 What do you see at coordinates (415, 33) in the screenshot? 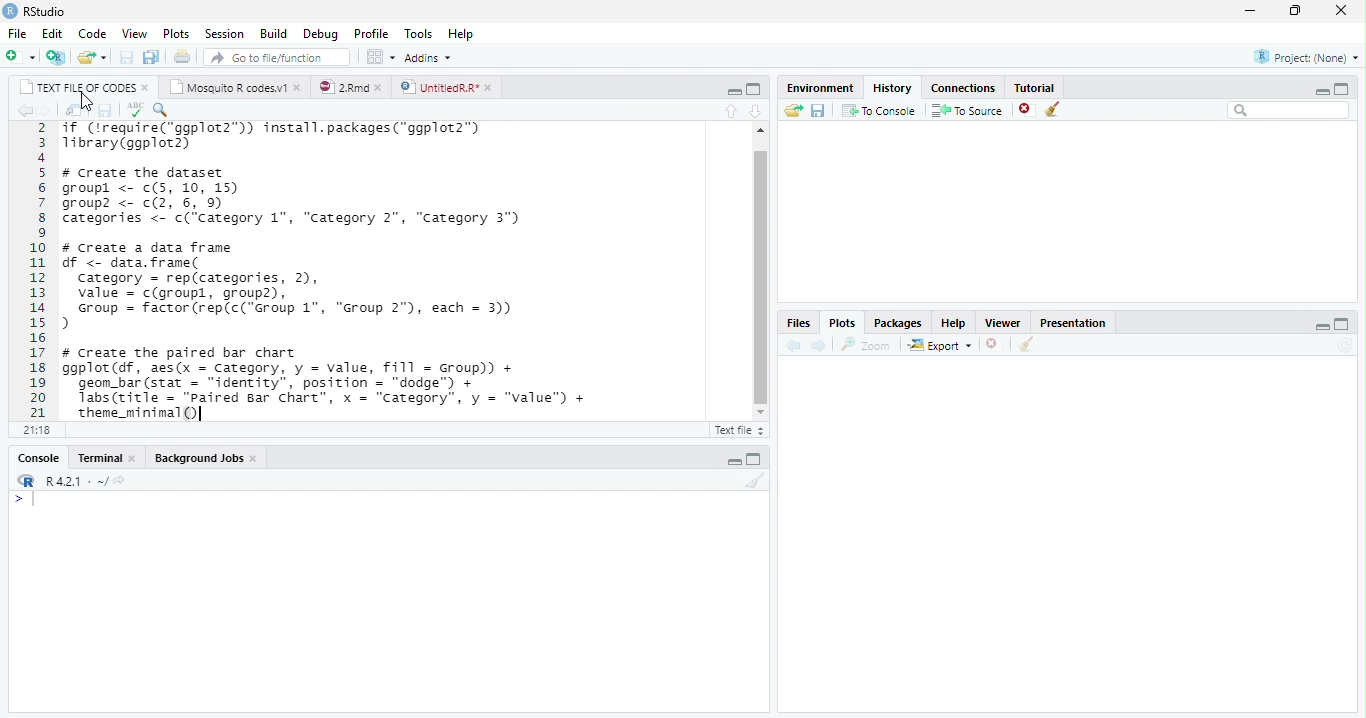
I see `tools` at bounding box center [415, 33].